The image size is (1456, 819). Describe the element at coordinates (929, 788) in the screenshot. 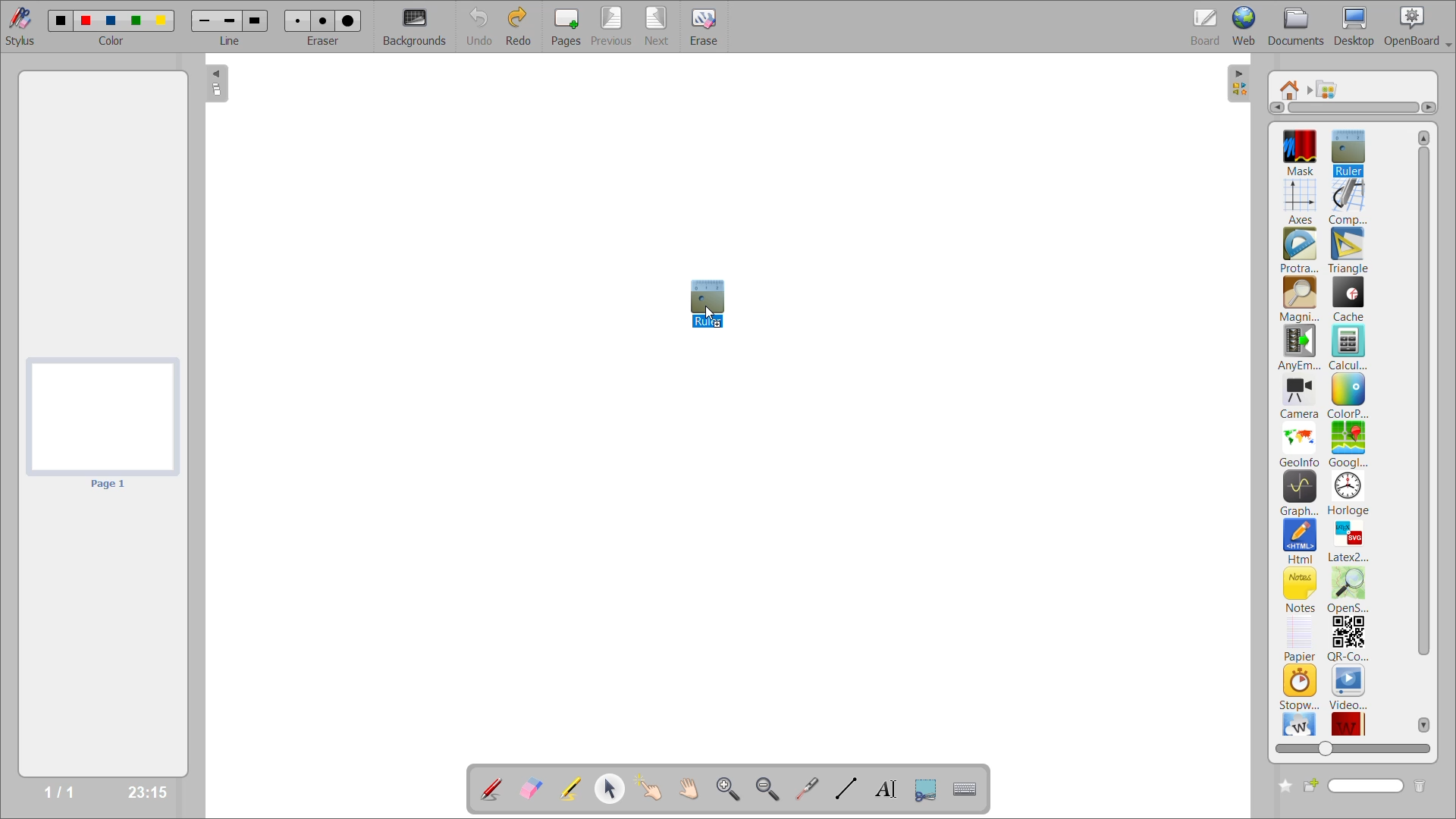

I see `capture part of the screen` at that location.